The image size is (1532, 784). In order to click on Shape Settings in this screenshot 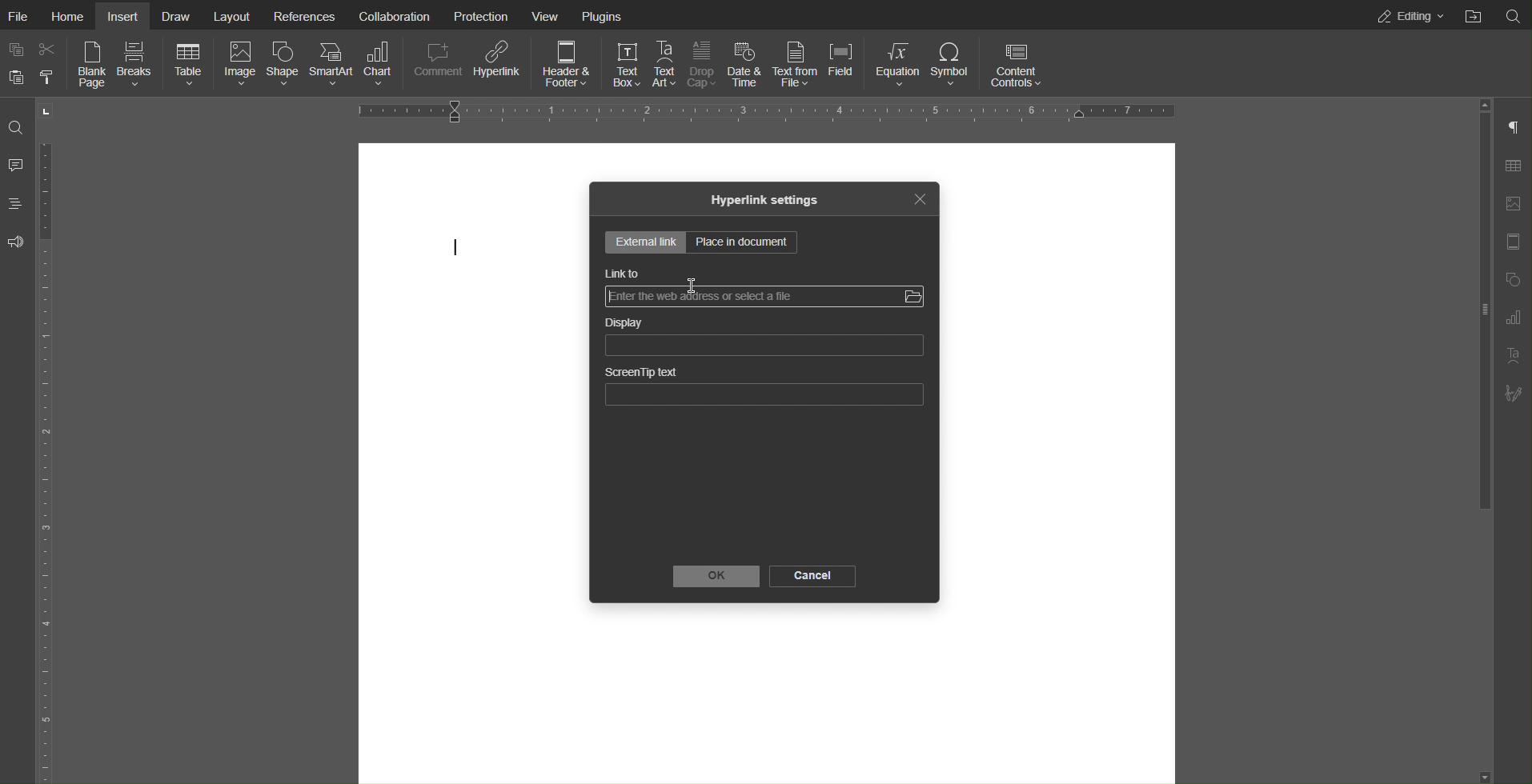, I will do `click(1512, 279)`.